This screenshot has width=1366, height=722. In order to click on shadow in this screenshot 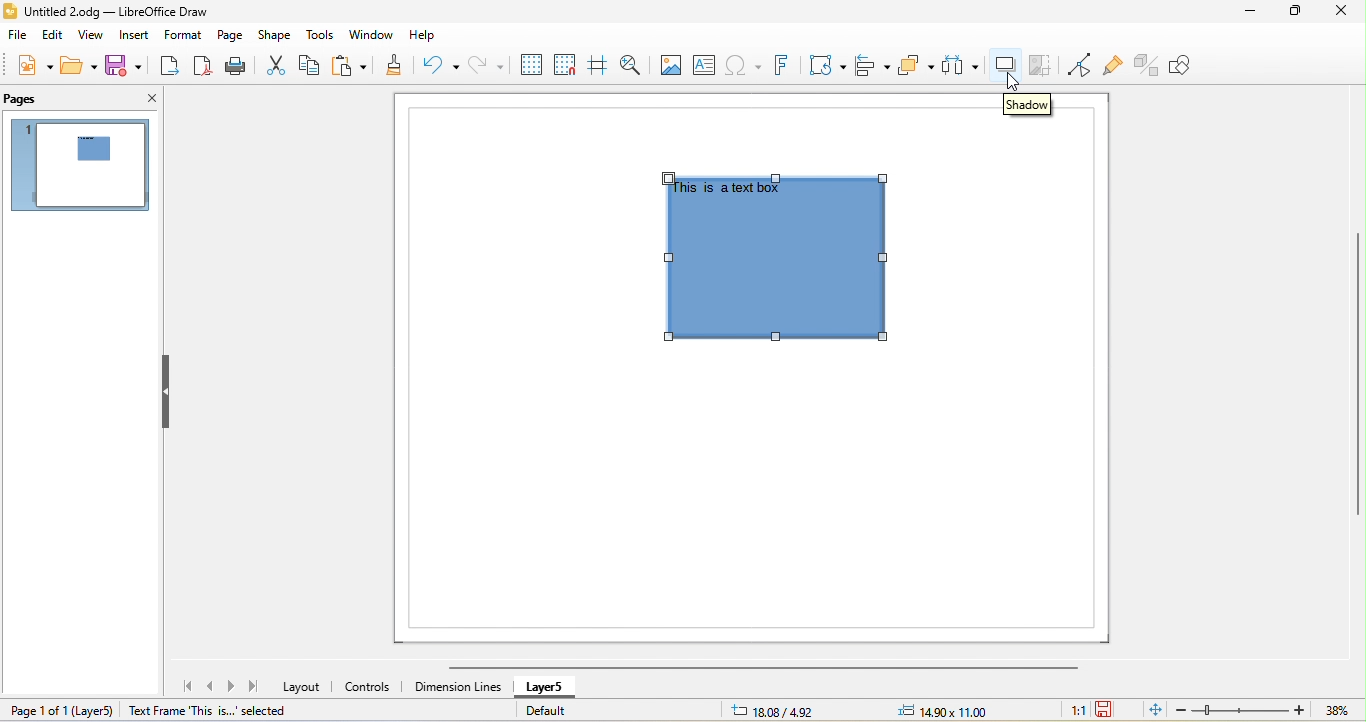, I will do `click(1008, 63)`.